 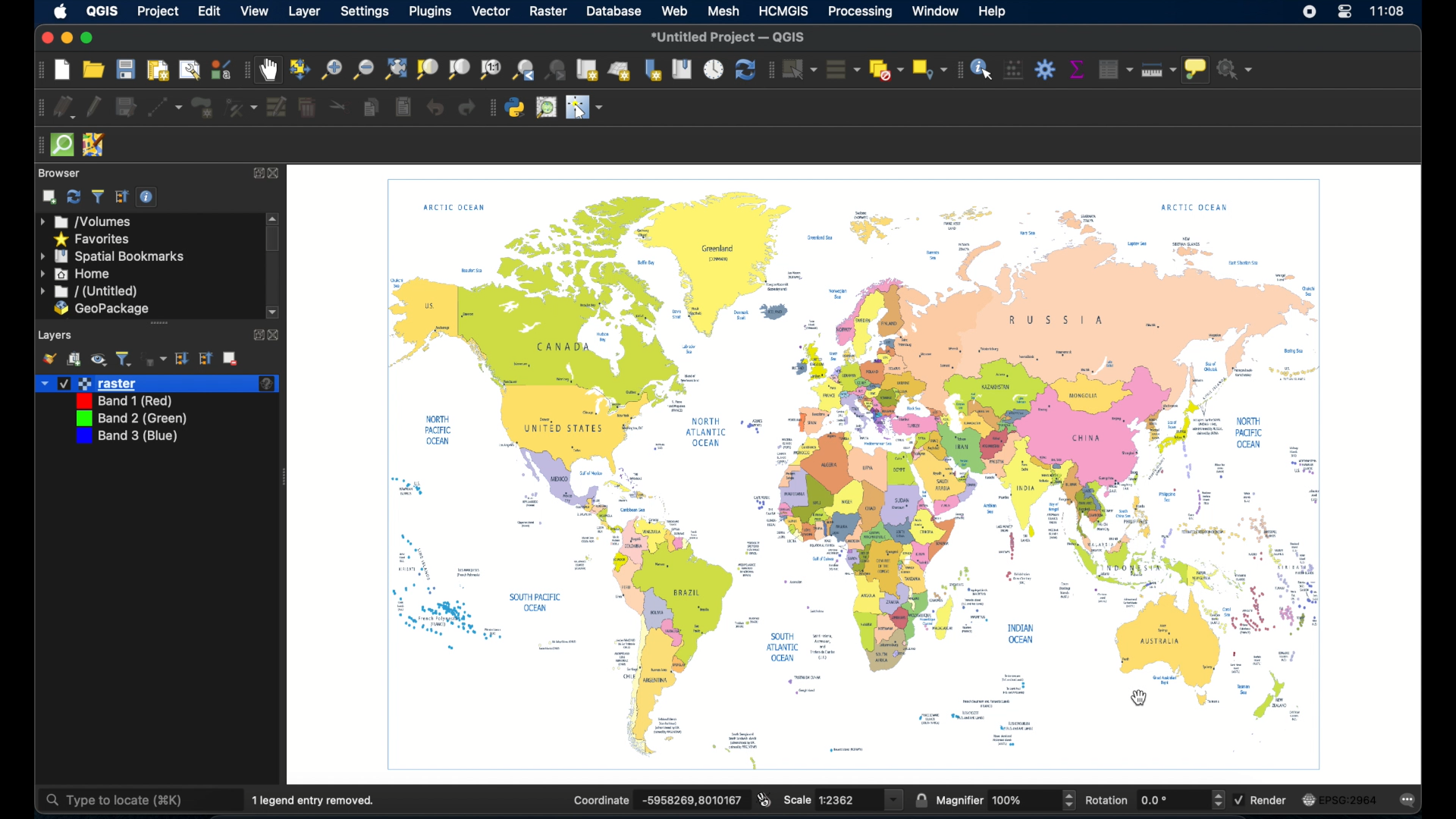 I want to click on new map view, so click(x=588, y=70).